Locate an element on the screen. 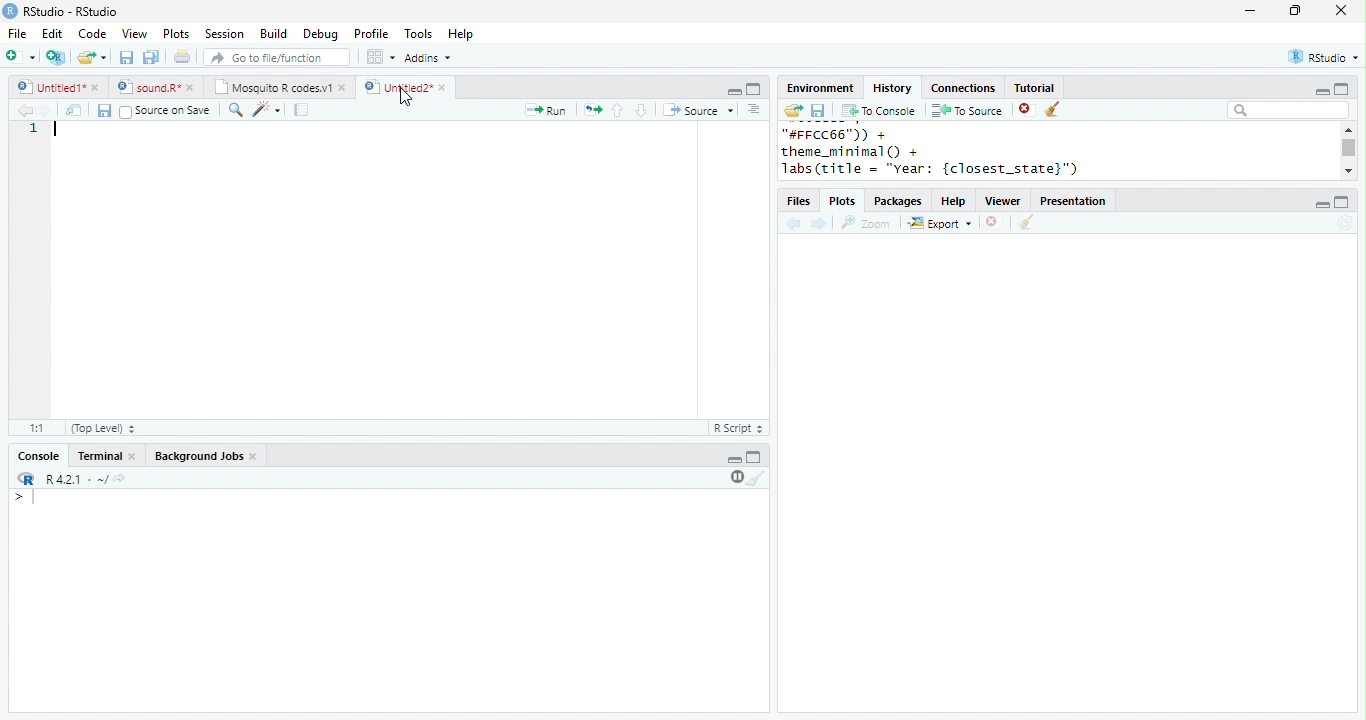  minimize is located at coordinates (1321, 91).